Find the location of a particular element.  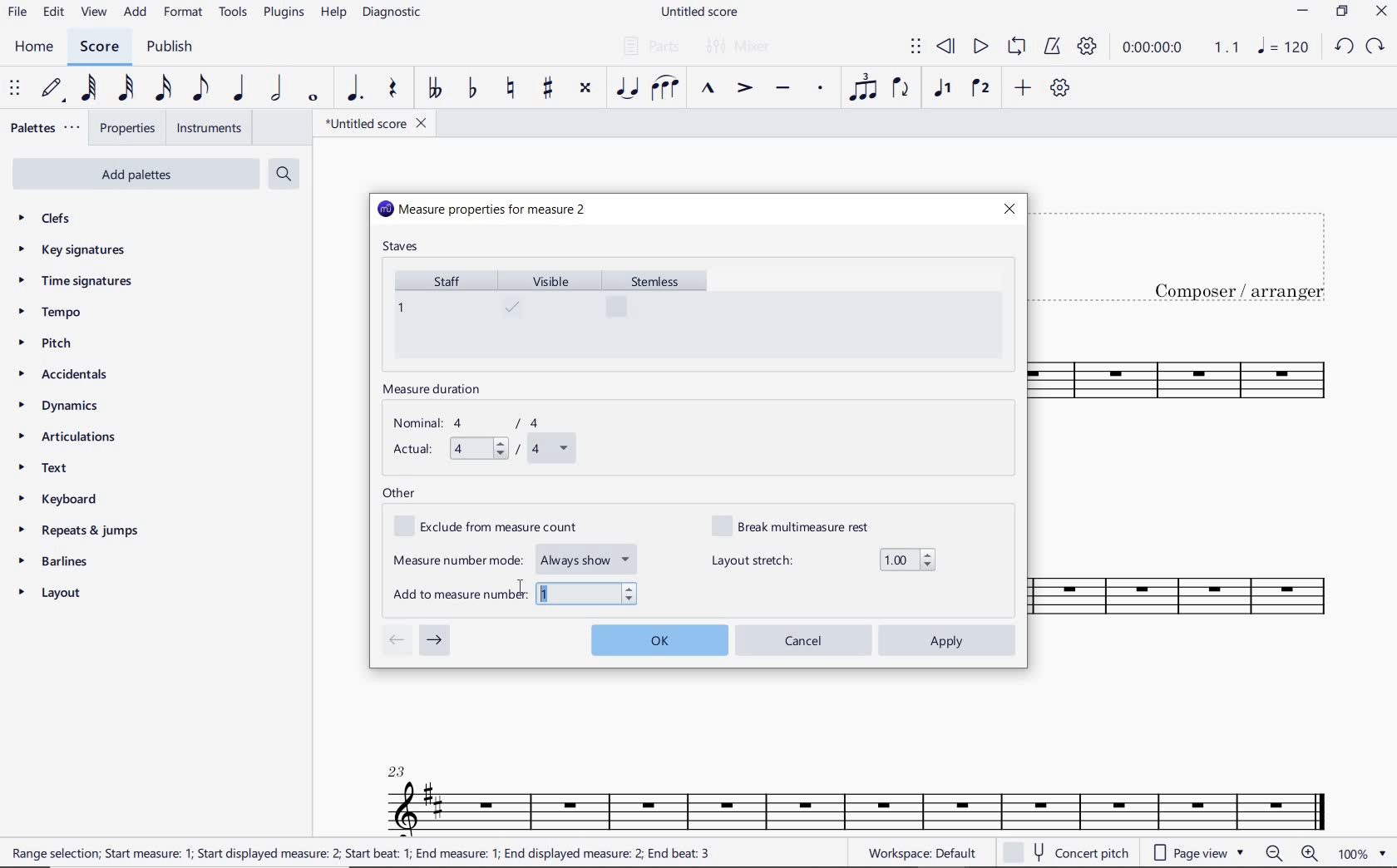

TOOLS is located at coordinates (234, 15).